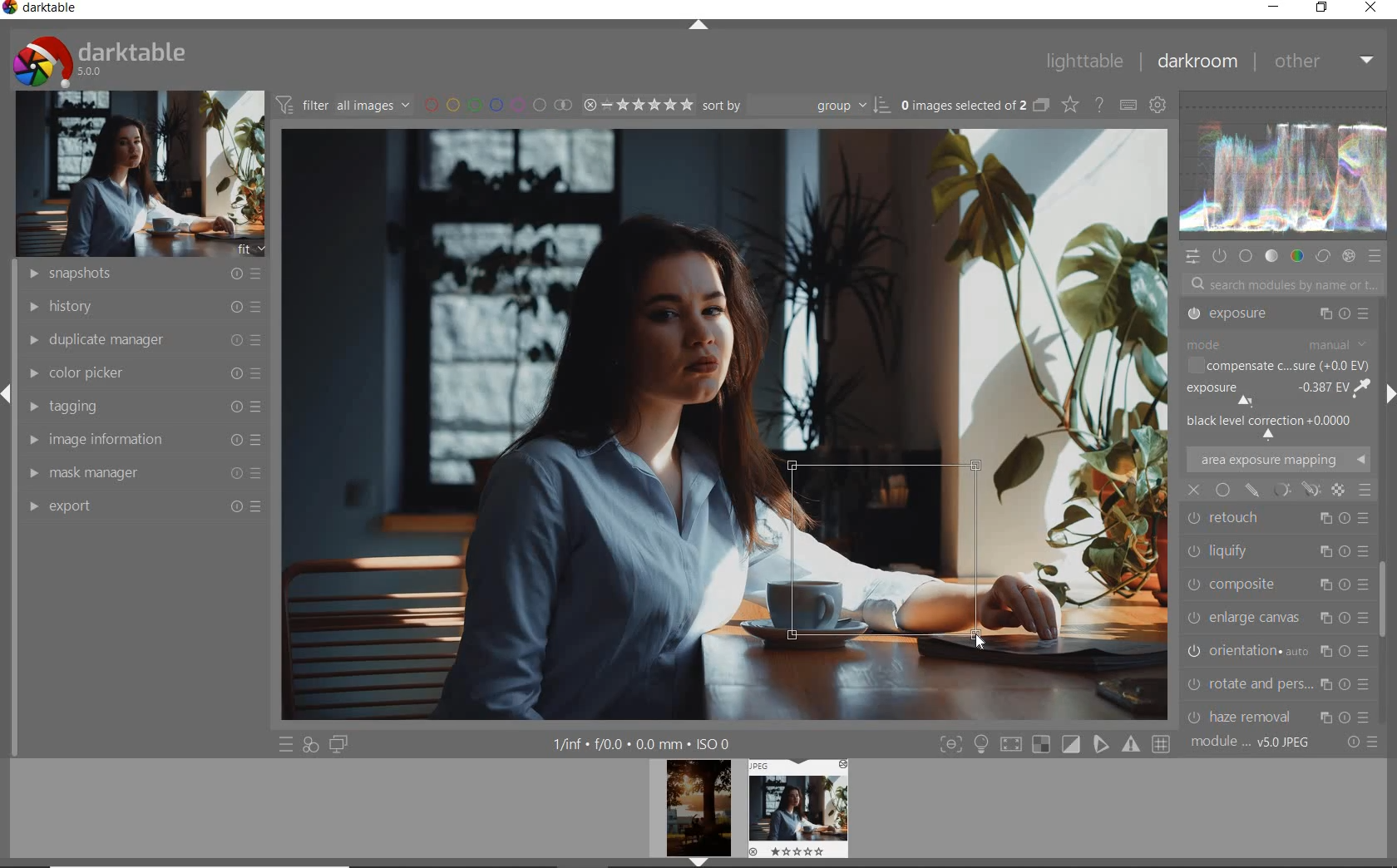  What do you see at coordinates (42, 11) in the screenshot?
I see `SYSTEM NAME` at bounding box center [42, 11].